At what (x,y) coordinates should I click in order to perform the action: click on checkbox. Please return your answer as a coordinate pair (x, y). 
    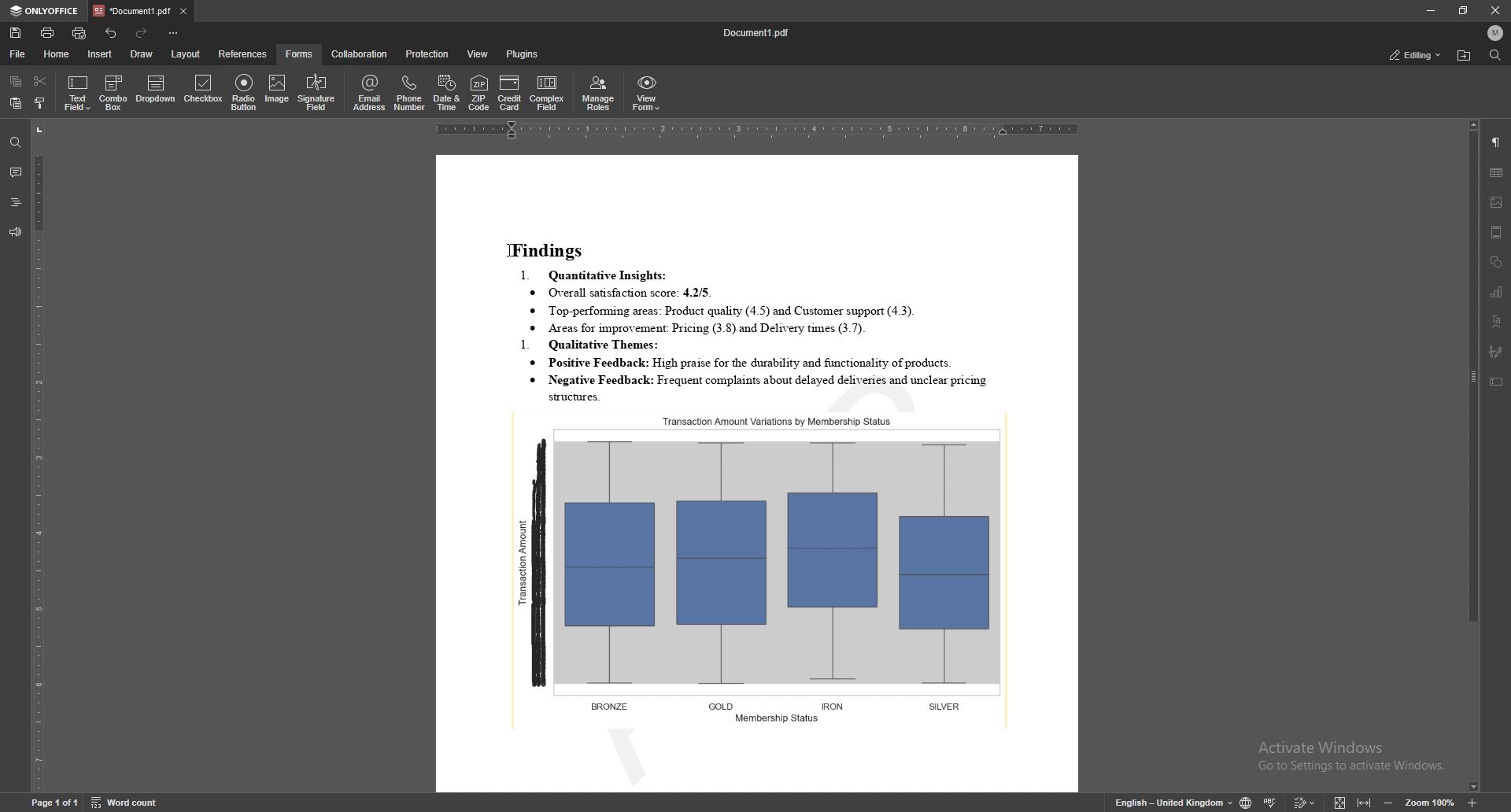
    Looking at the image, I should click on (202, 91).